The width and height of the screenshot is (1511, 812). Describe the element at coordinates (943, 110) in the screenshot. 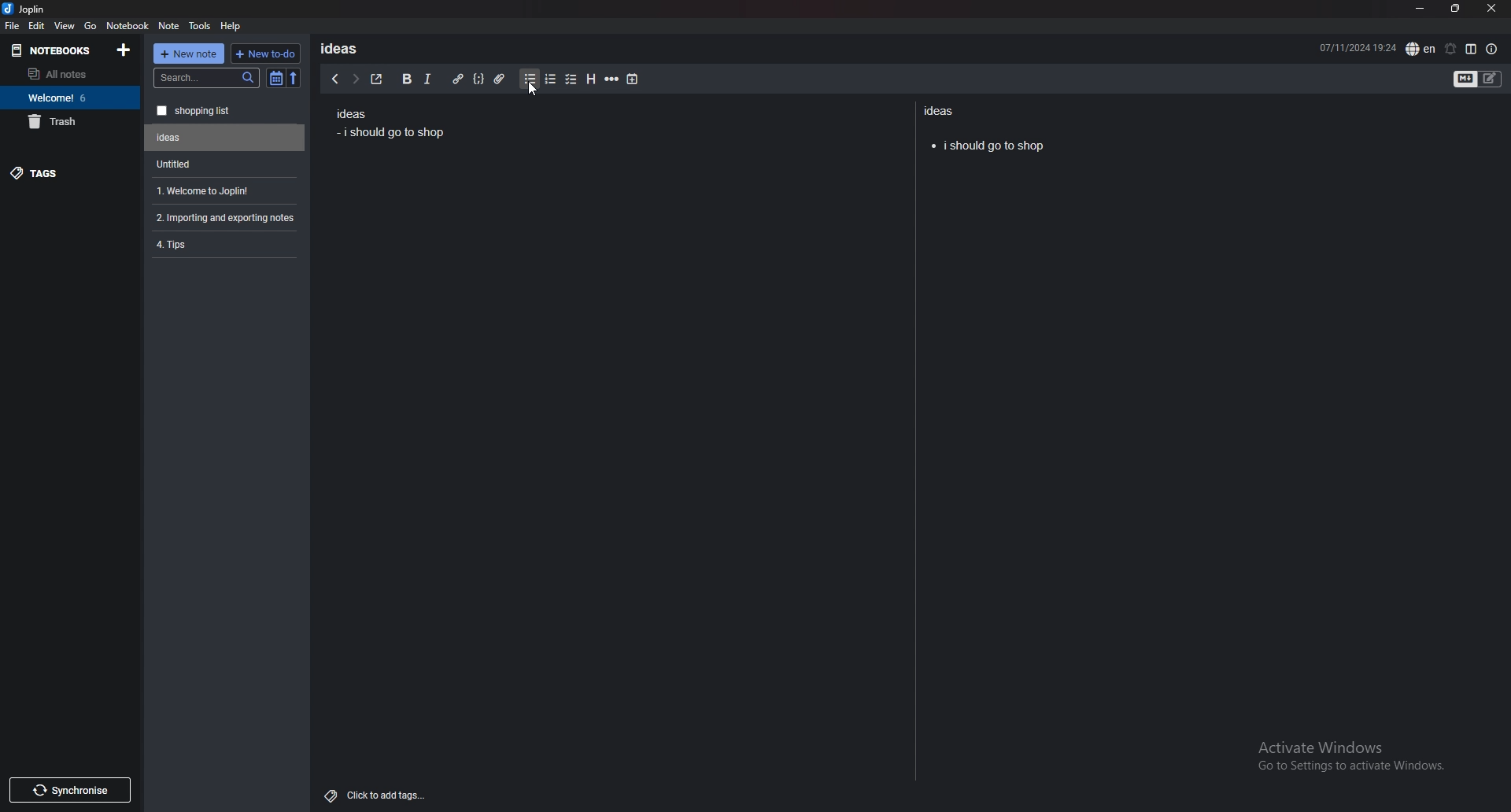

I see `ideas` at that location.